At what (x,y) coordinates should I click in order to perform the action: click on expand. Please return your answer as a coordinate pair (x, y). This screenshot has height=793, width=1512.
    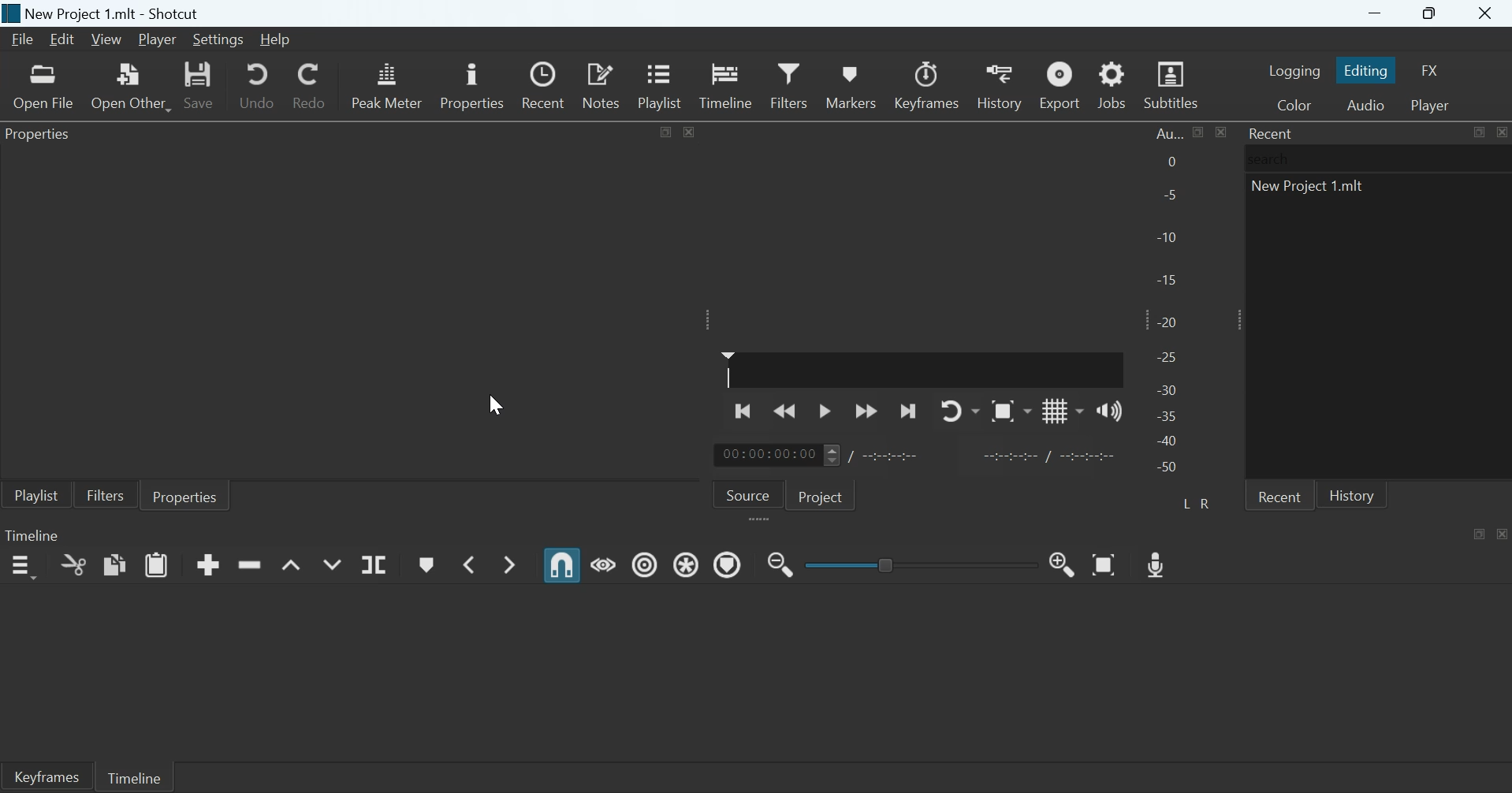
    Looking at the image, I should click on (762, 520).